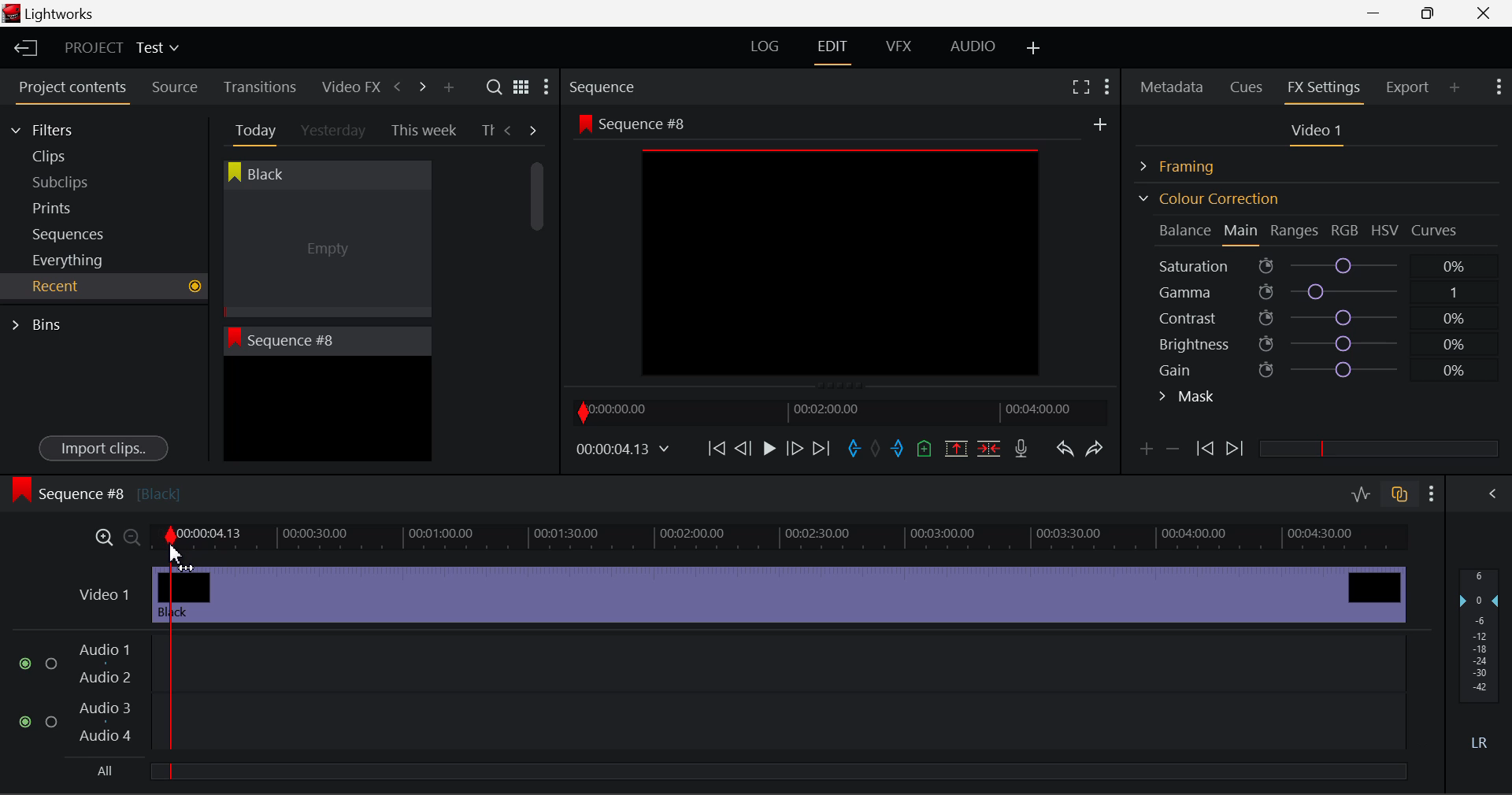  What do you see at coordinates (899, 449) in the screenshot?
I see `Mark Out` at bounding box center [899, 449].